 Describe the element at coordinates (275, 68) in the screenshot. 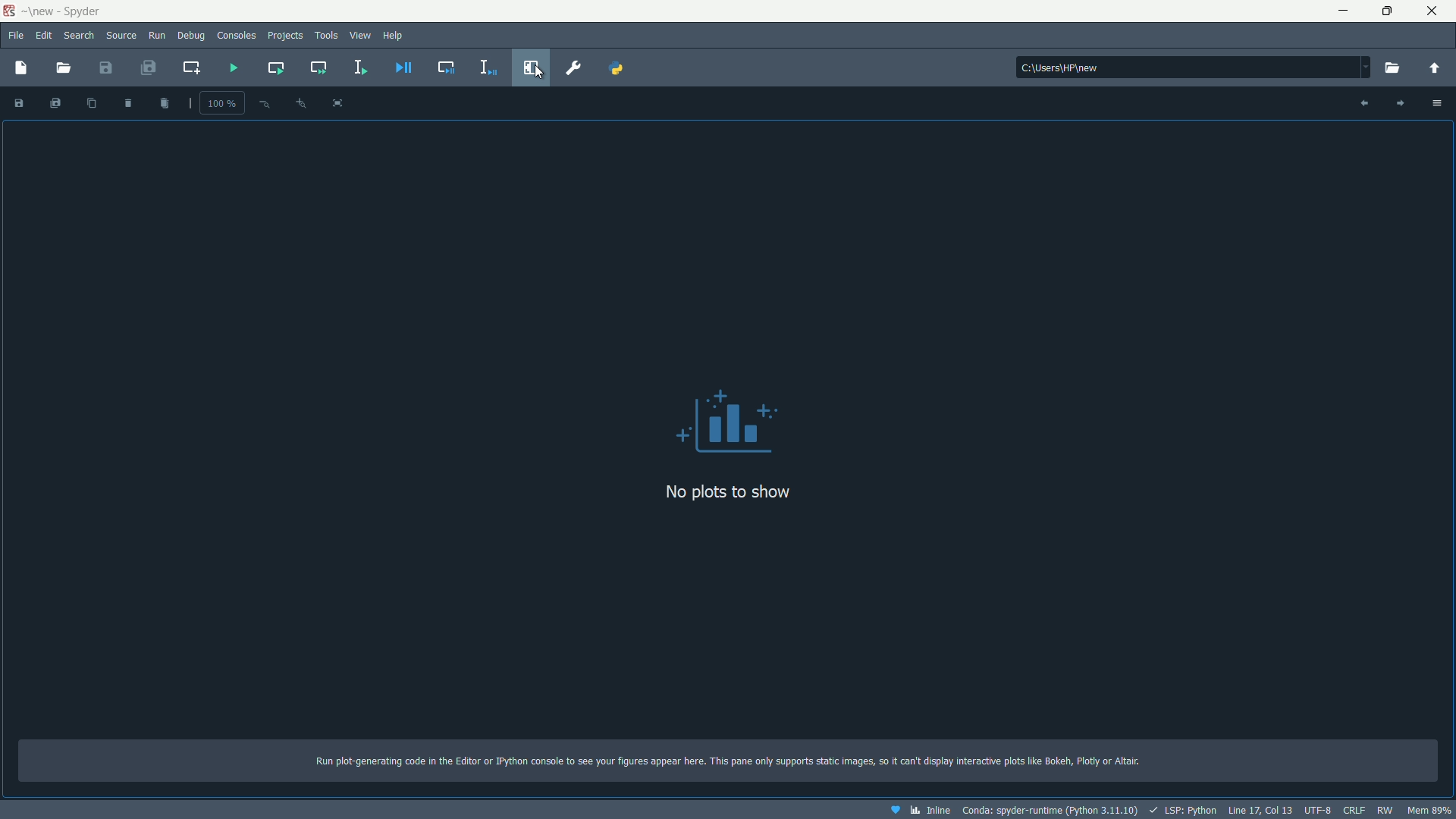

I see `run current cell` at that location.